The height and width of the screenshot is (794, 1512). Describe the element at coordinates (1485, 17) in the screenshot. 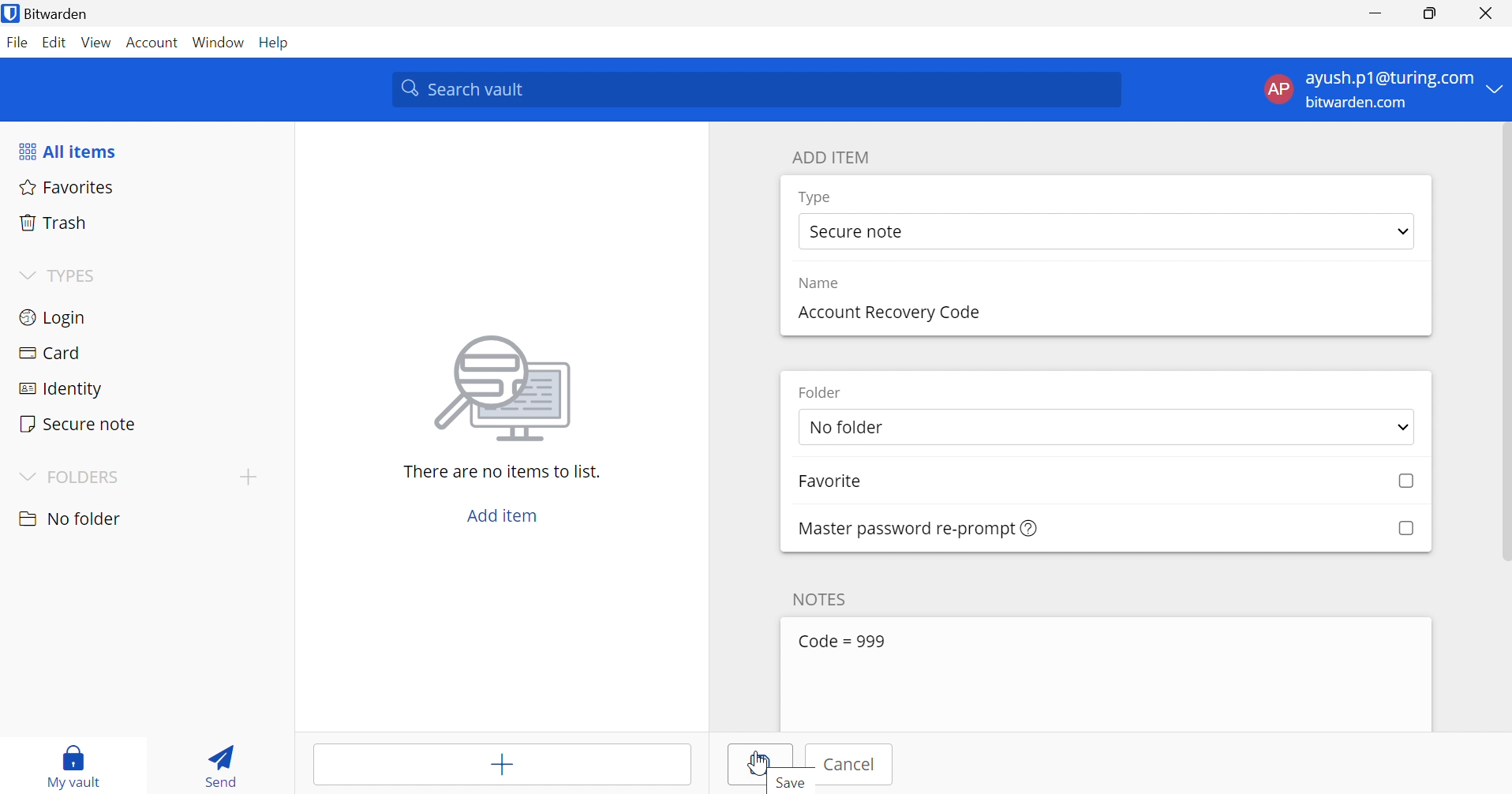

I see `close` at that location.